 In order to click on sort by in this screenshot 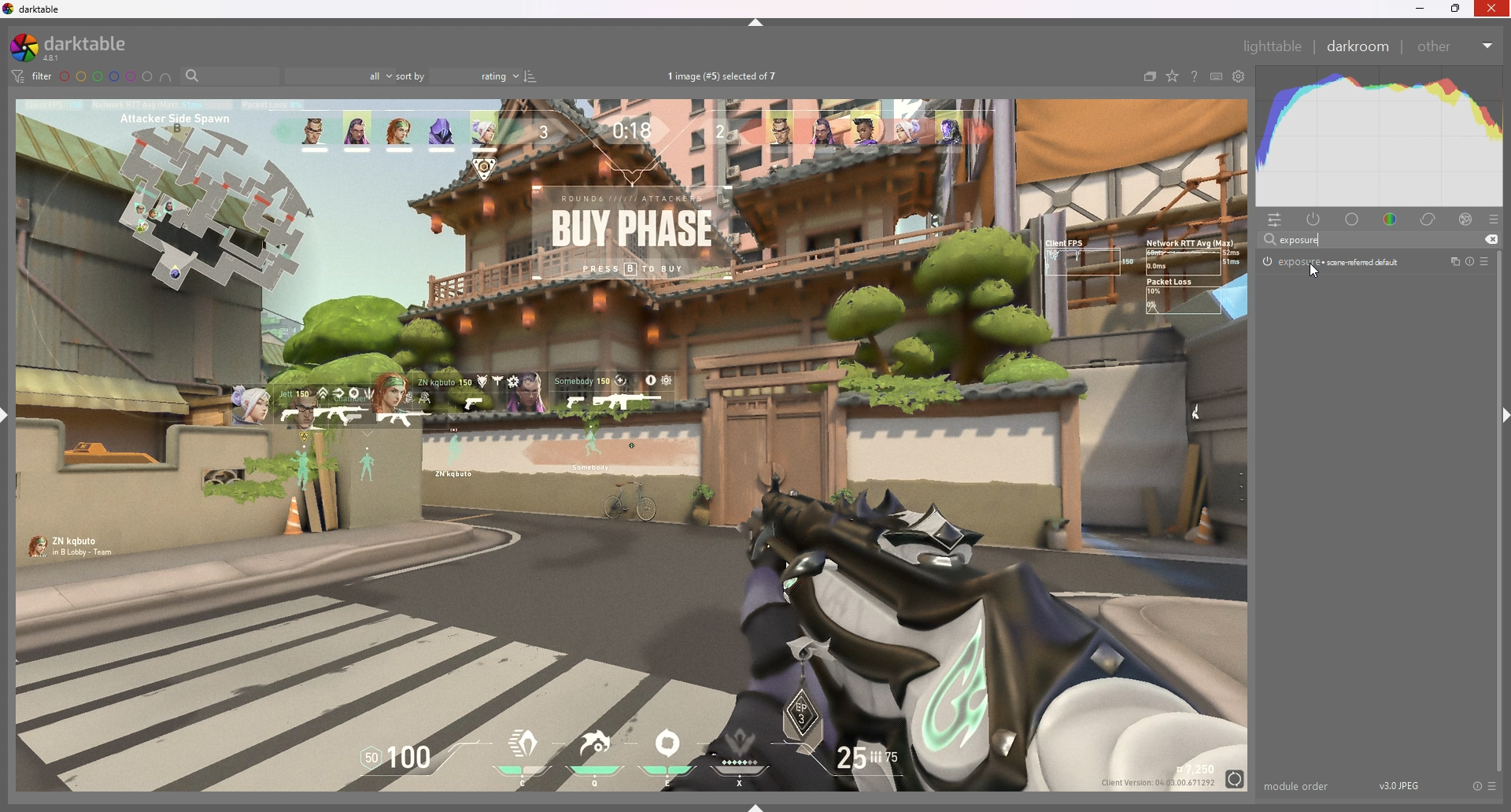, I will do `click(459, 76)`.